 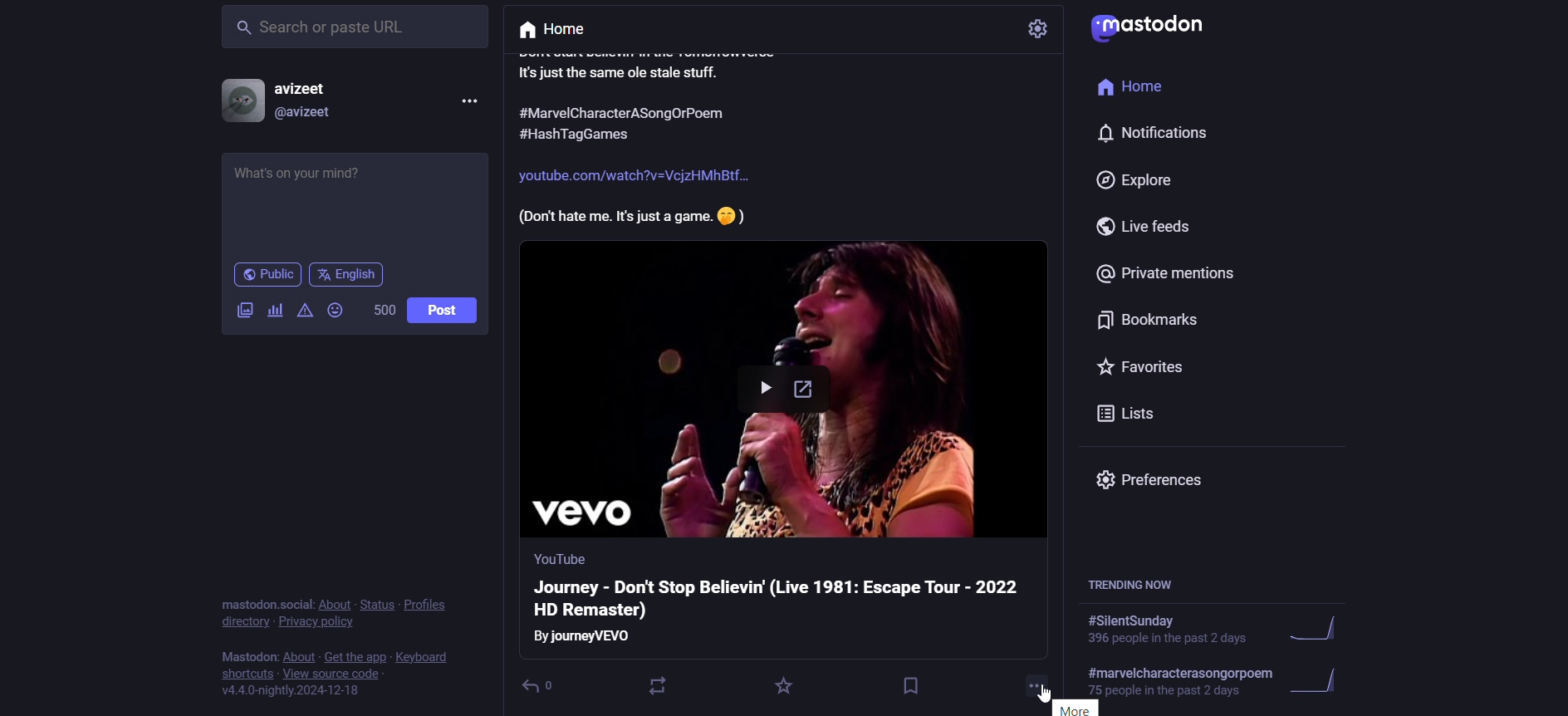 What do you see at coordinates (603, 134) in the screenshot?
I see `` at bounding box center [603, 134].